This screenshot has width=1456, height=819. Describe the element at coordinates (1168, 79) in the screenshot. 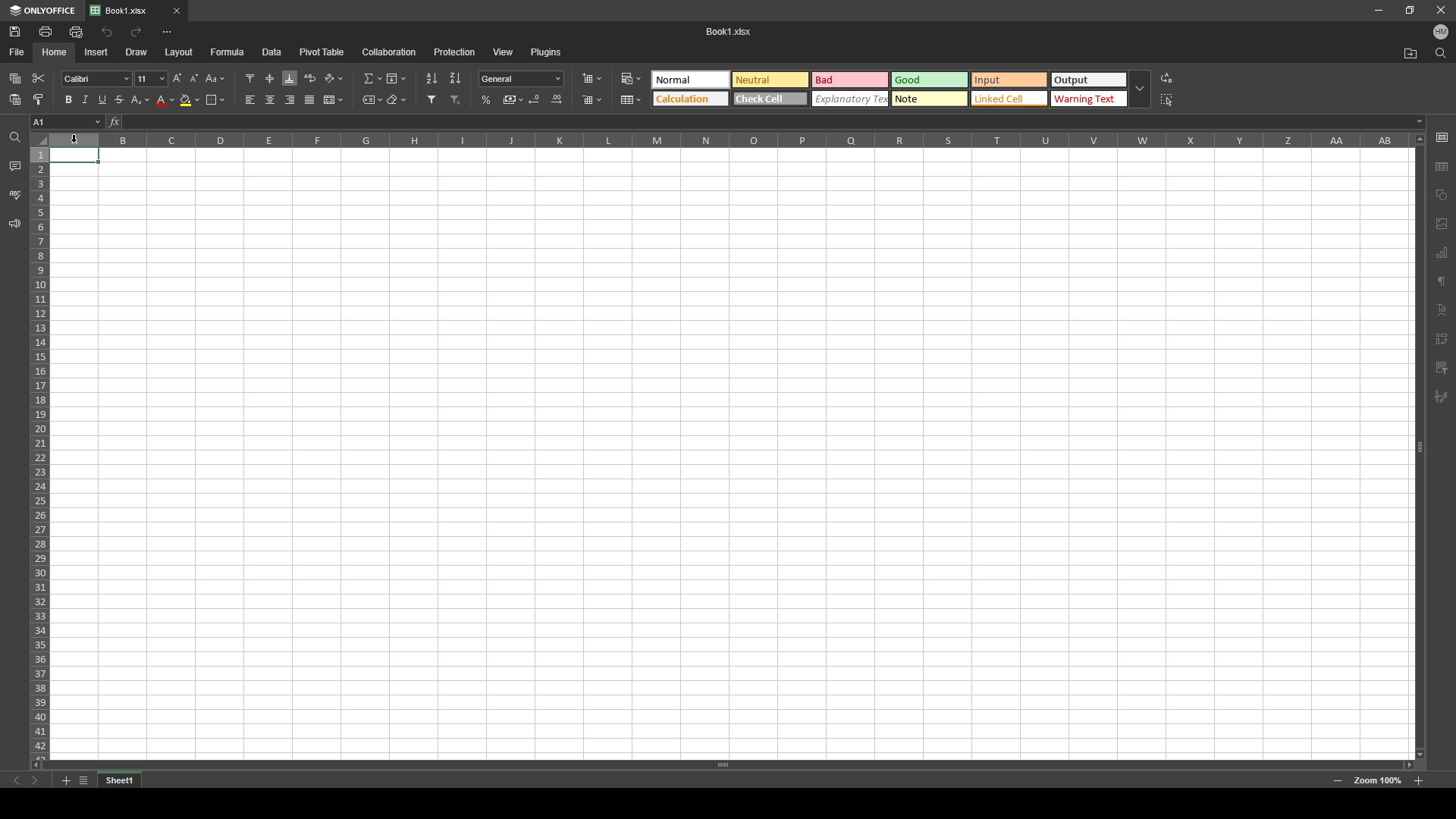

I see `replace` at that location.